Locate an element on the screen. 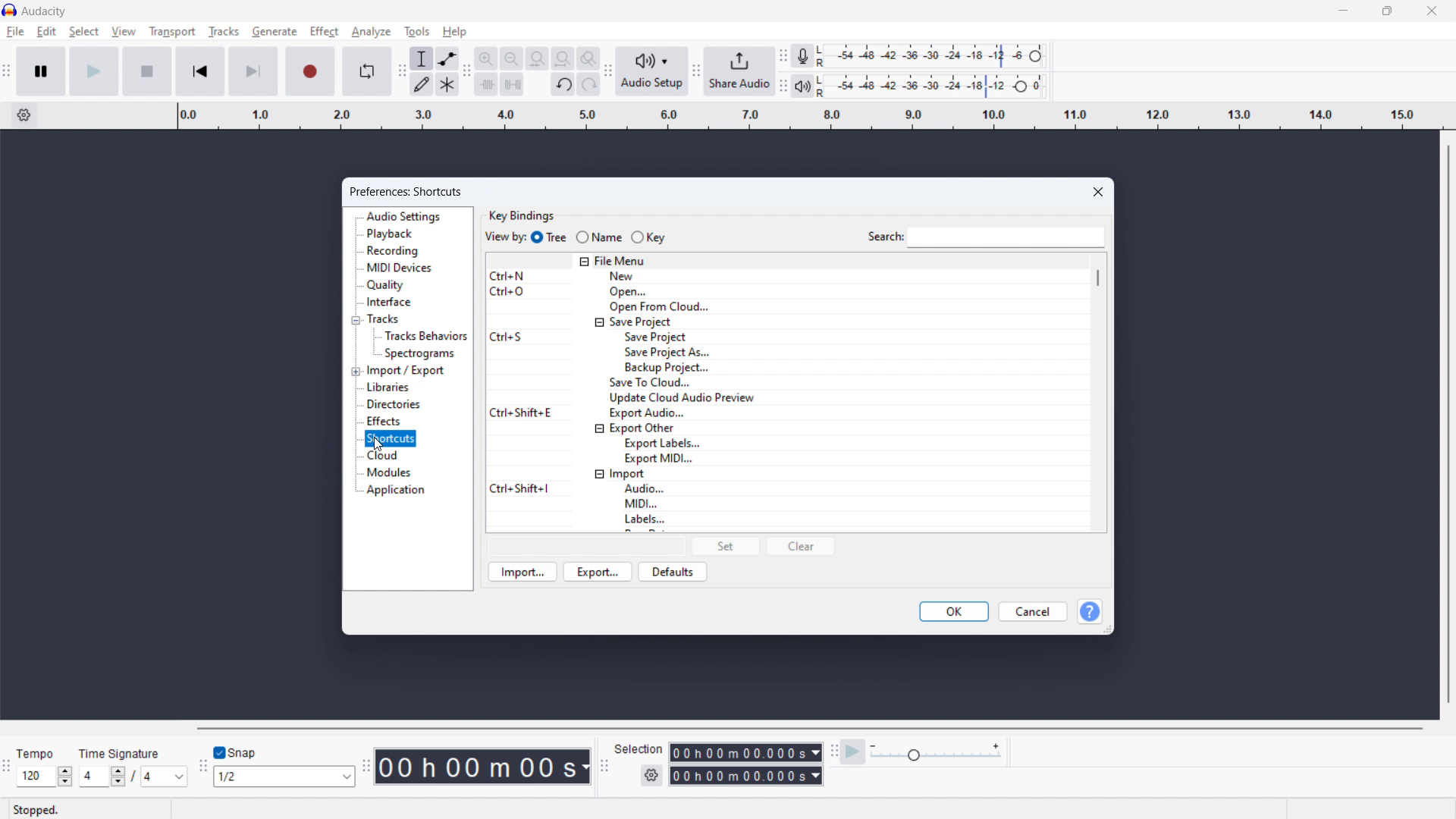 The image size is (1456, 819). redo is located at coordinates (588, 83).